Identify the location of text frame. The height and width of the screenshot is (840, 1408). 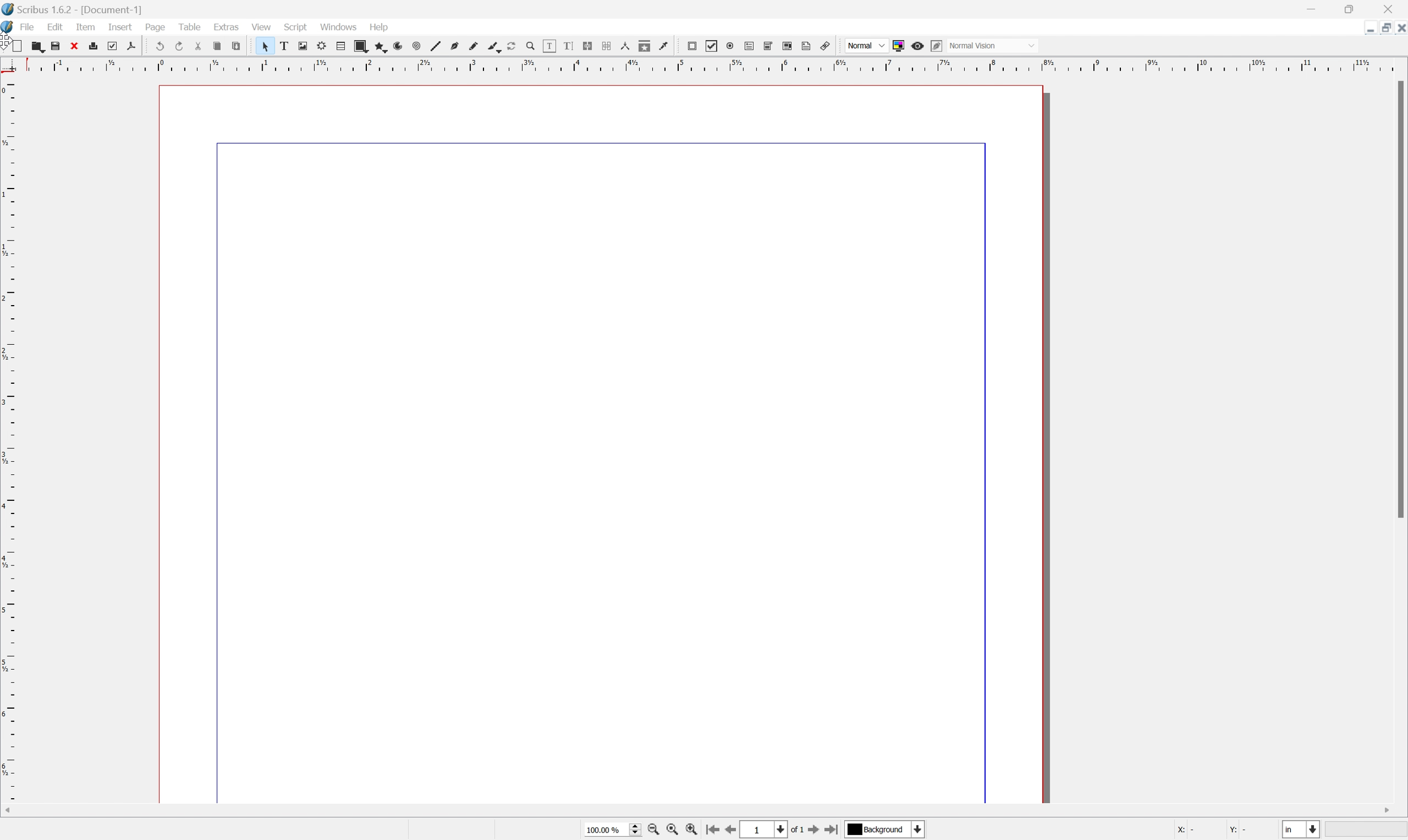
(284, 46).